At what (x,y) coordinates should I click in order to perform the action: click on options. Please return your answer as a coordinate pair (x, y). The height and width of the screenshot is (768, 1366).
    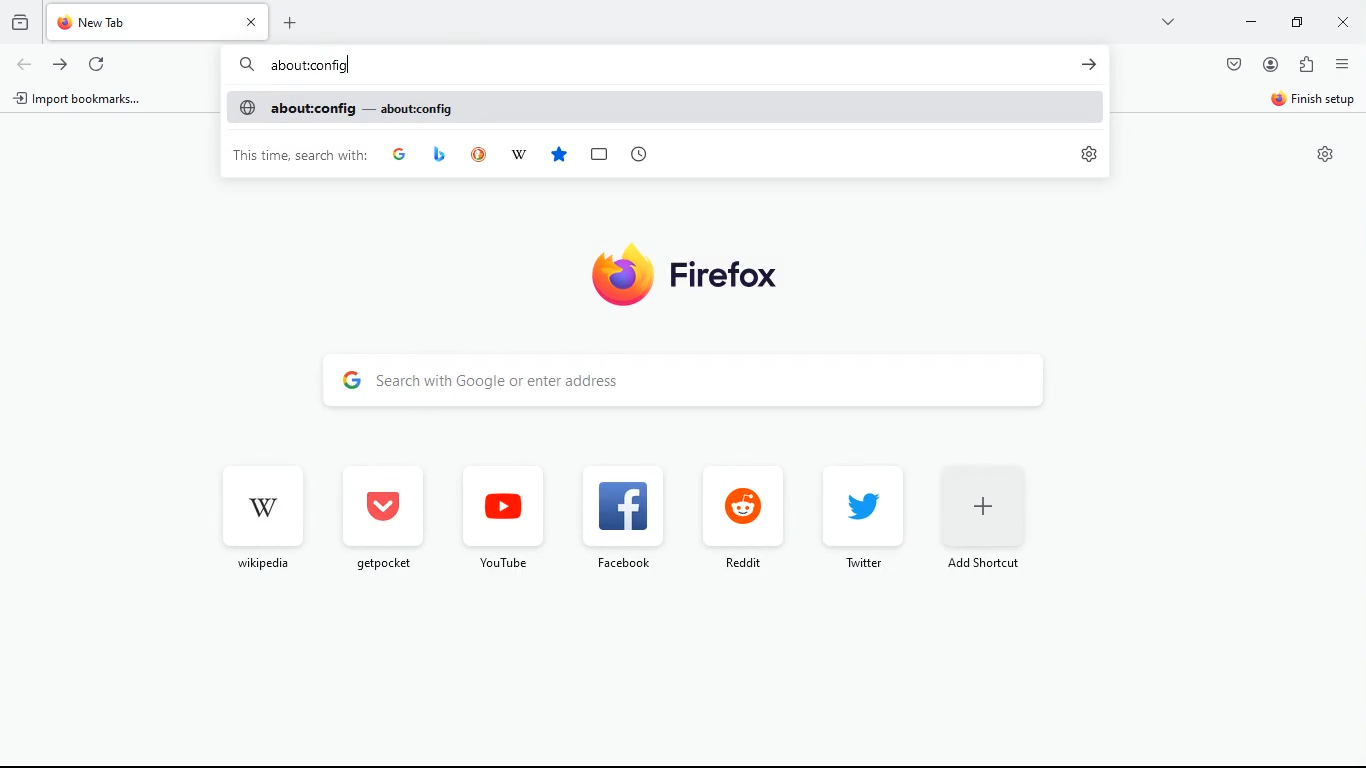
    Looking at the image, I should click on (1343, 67).